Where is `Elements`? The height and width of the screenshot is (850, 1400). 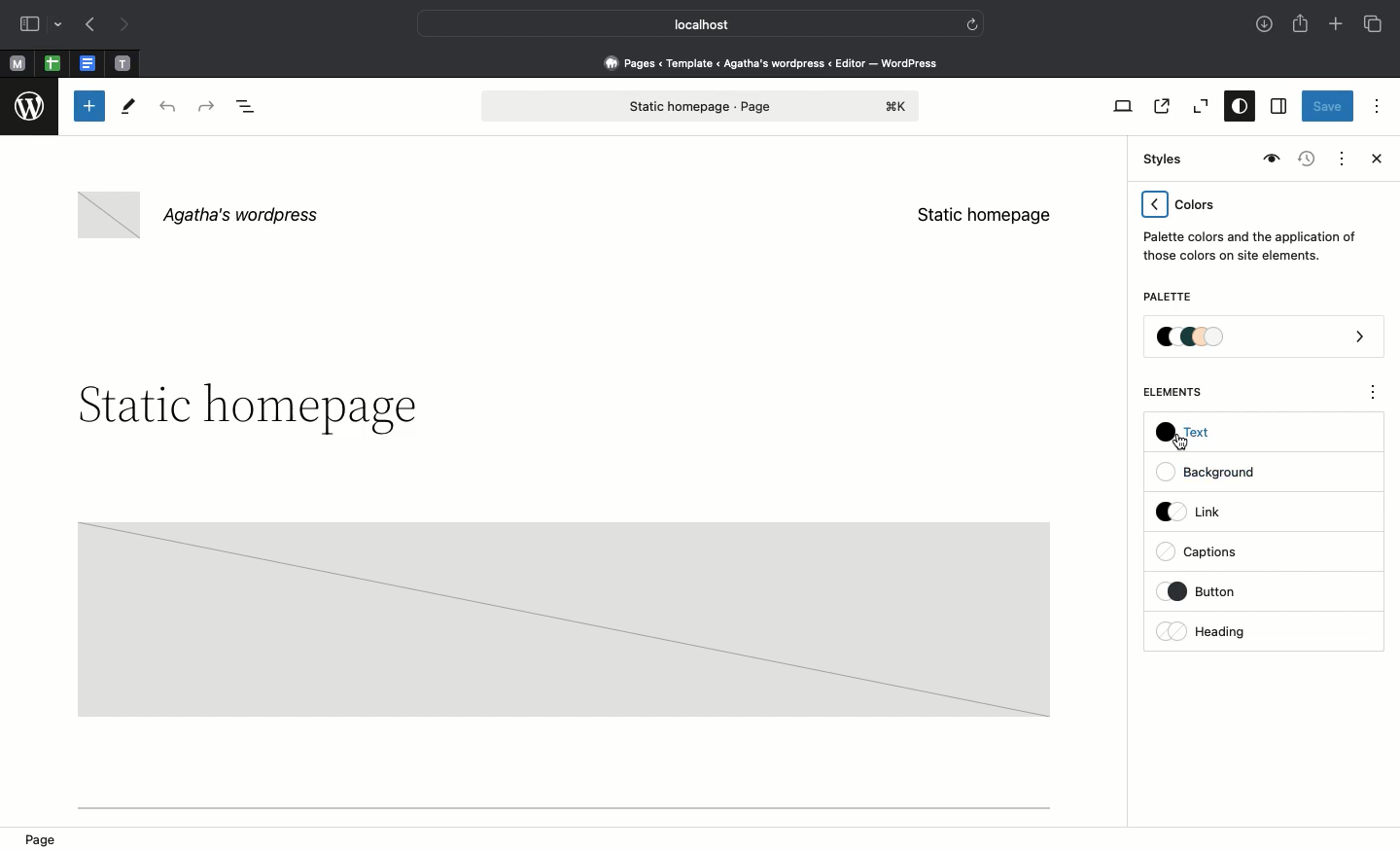
Elements is located at coordinates (1183, 392).